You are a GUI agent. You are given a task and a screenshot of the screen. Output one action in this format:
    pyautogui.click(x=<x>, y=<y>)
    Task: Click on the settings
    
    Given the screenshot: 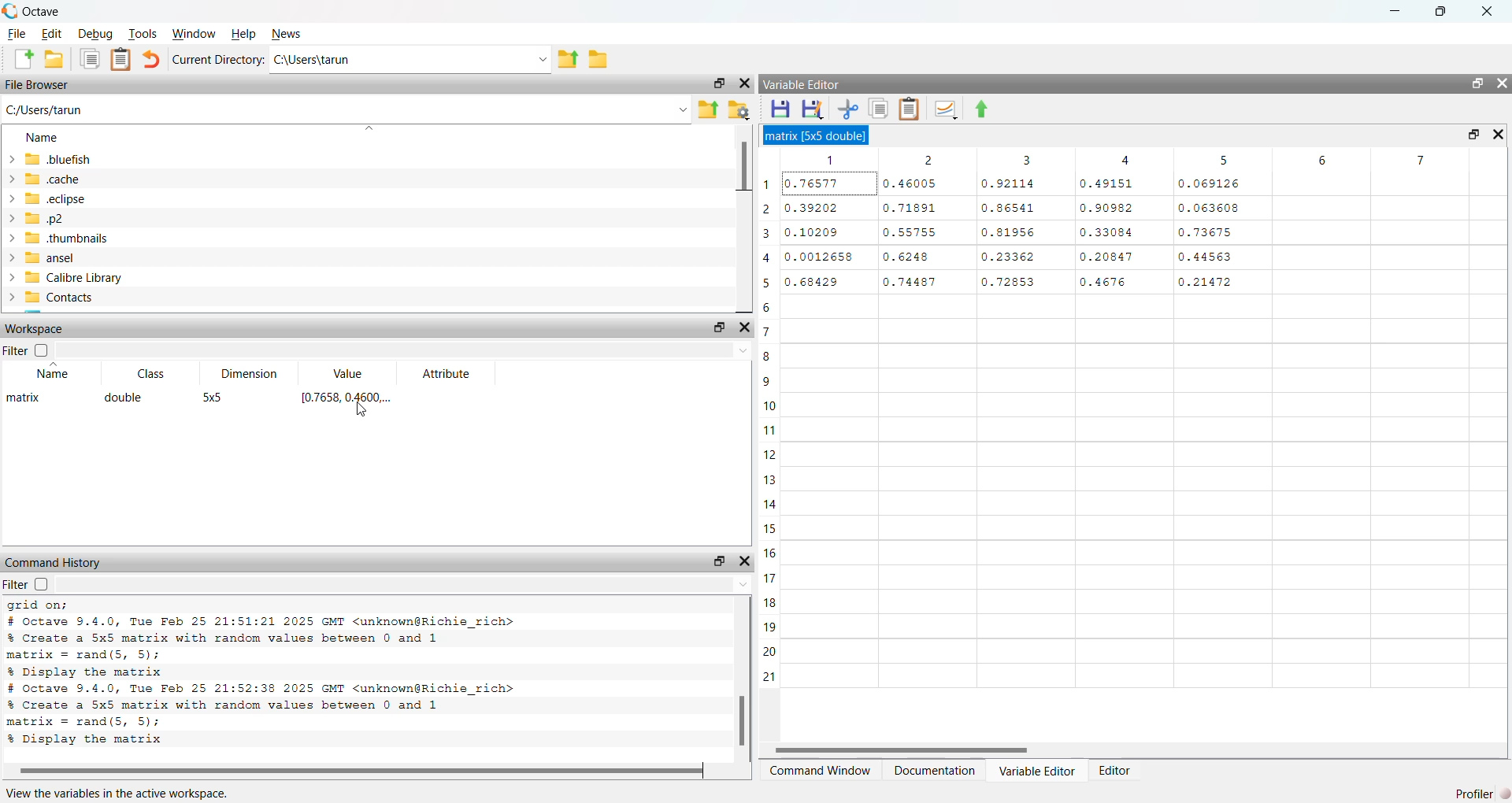 What is the action you would take?
    pyautogui.click(x=739, y=112)
    